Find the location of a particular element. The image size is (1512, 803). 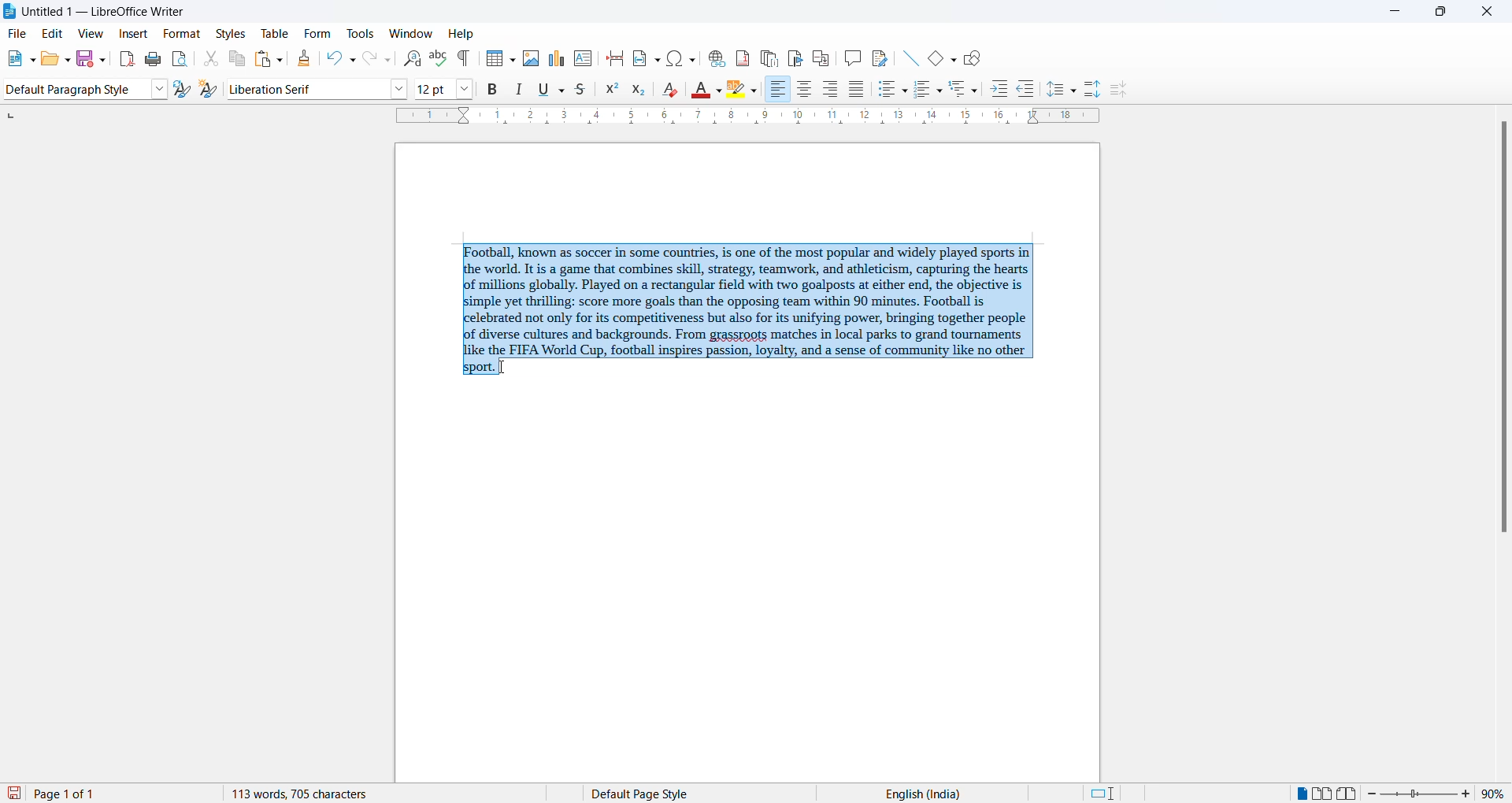

font size is located at coordinates (433, 88).